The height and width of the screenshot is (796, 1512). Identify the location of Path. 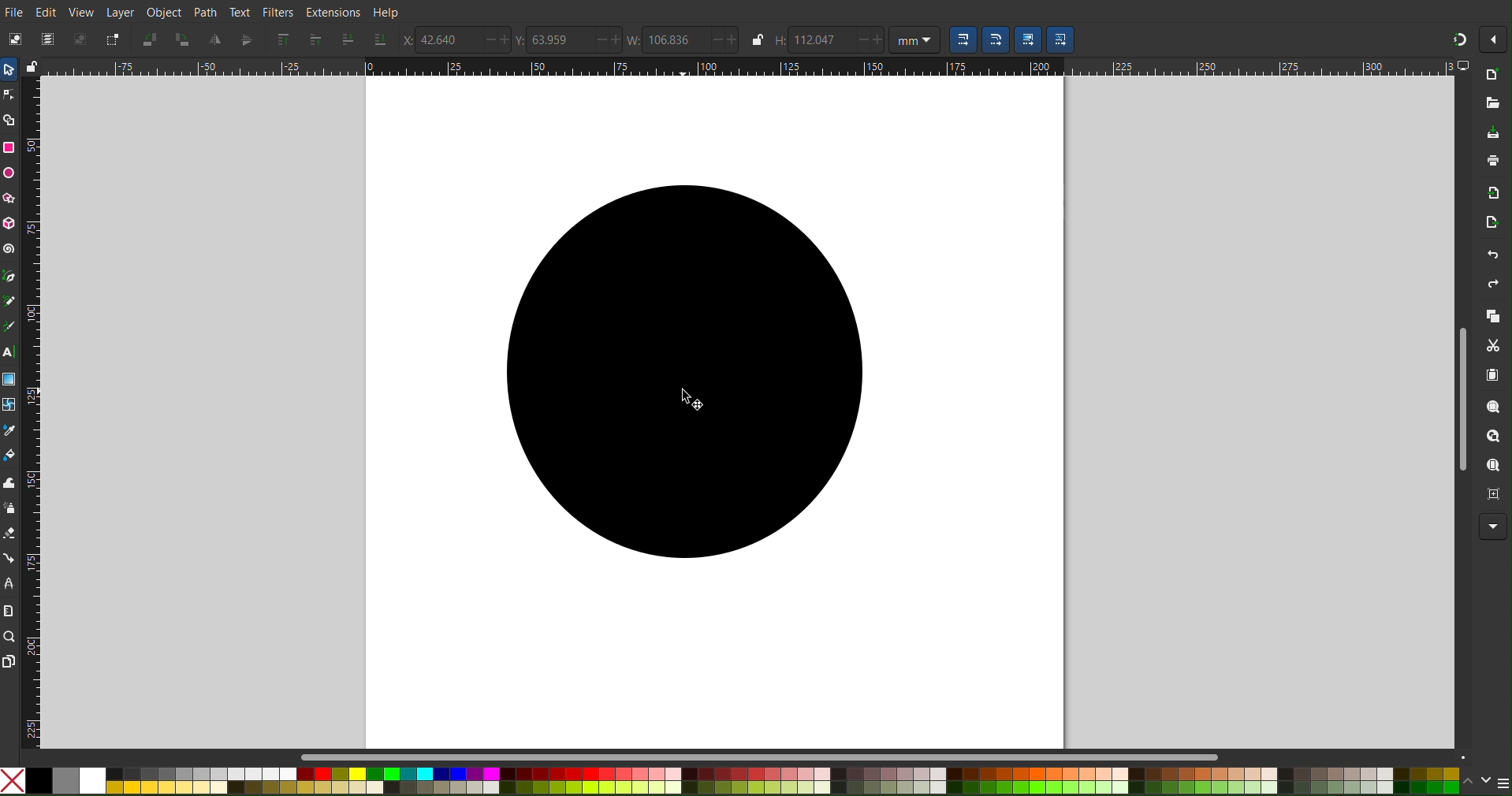
(203, 10).